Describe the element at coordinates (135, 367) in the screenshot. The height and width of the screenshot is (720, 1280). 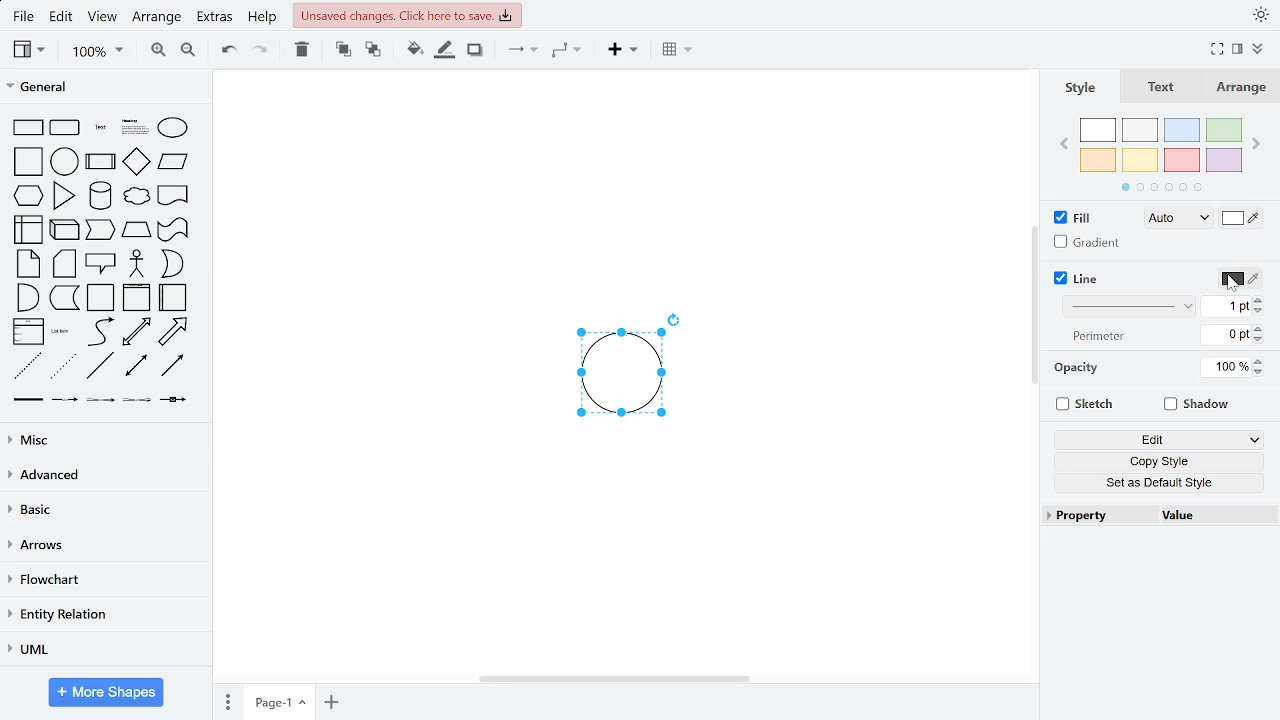
I see `bidirectional connector` at that location.